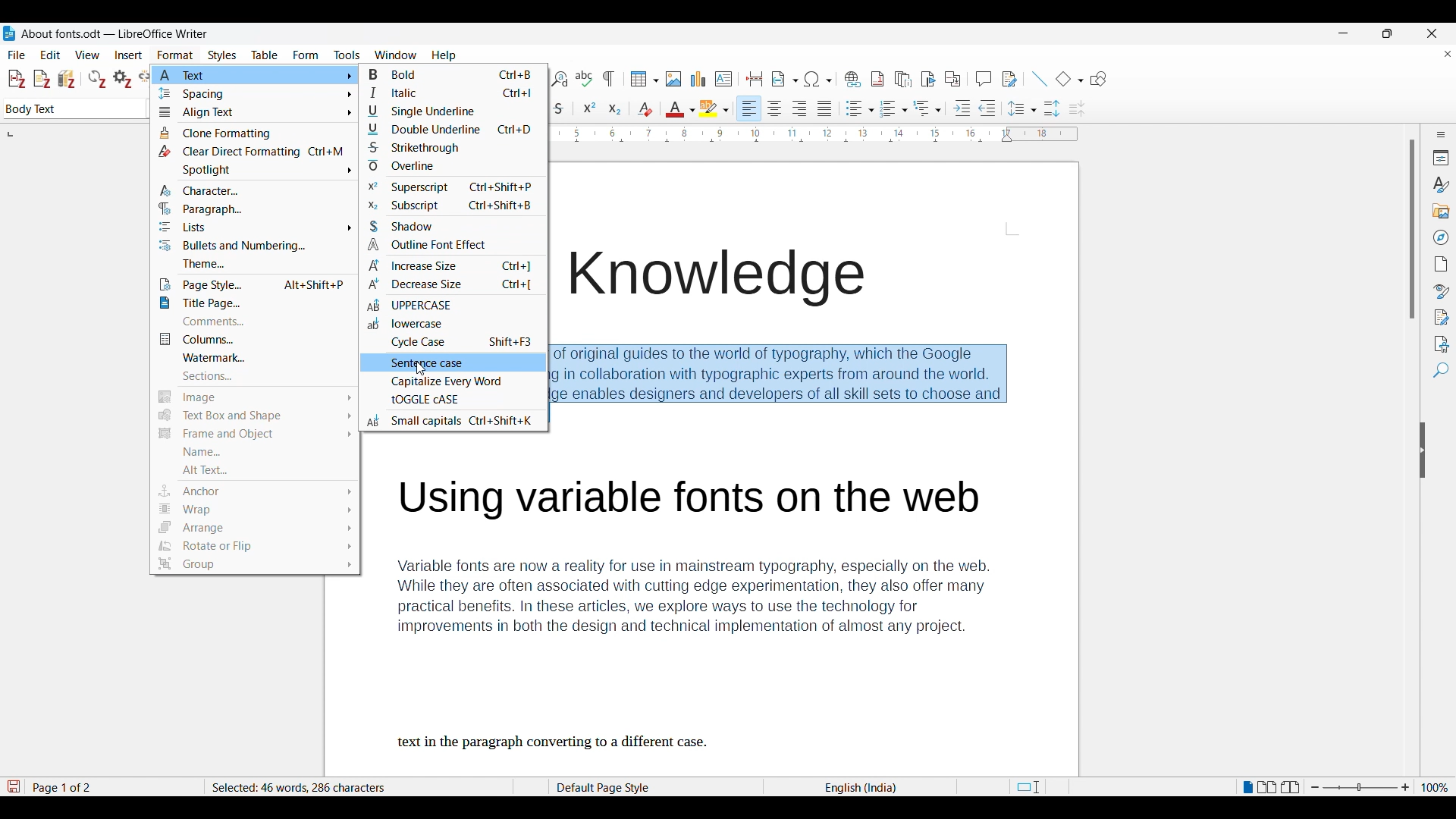 This screenshot has width=1456, height=819. Describe the element at coordinates (454, 244) in the screenshot. I see `Outline font effect` at that location.